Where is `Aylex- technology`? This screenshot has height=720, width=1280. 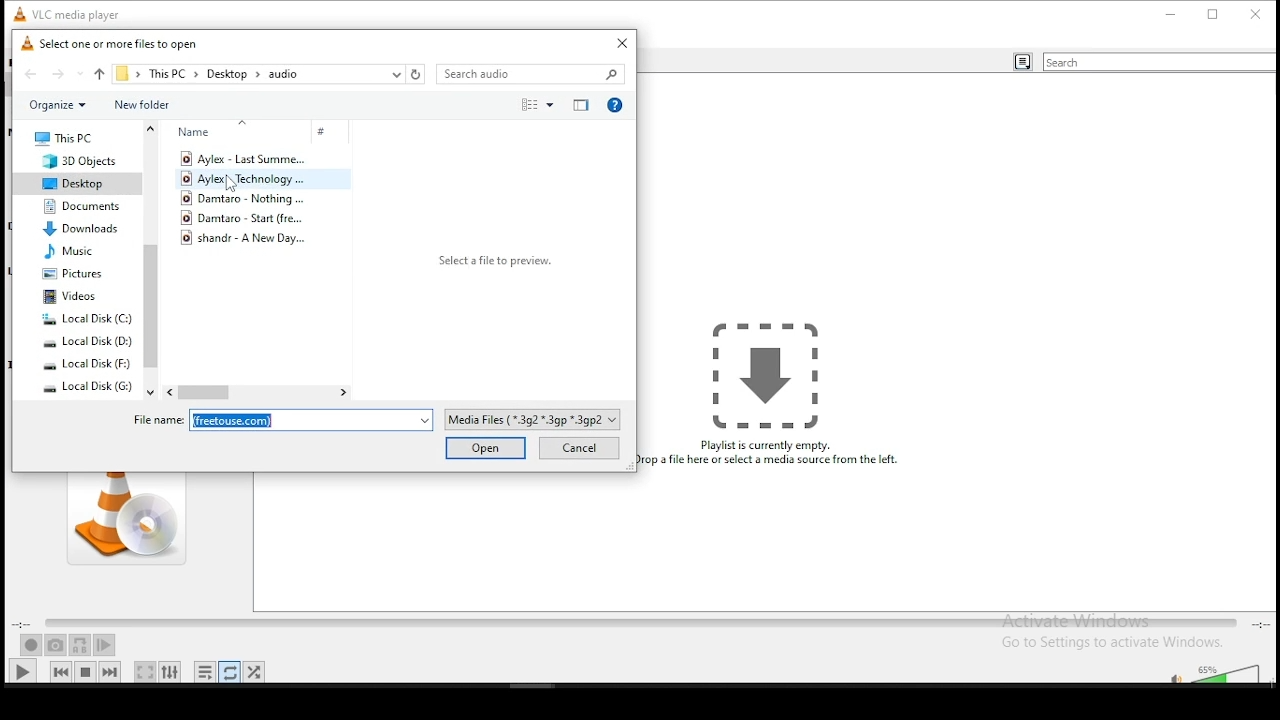 Aylex- technology is located at coordinates (245, 179).